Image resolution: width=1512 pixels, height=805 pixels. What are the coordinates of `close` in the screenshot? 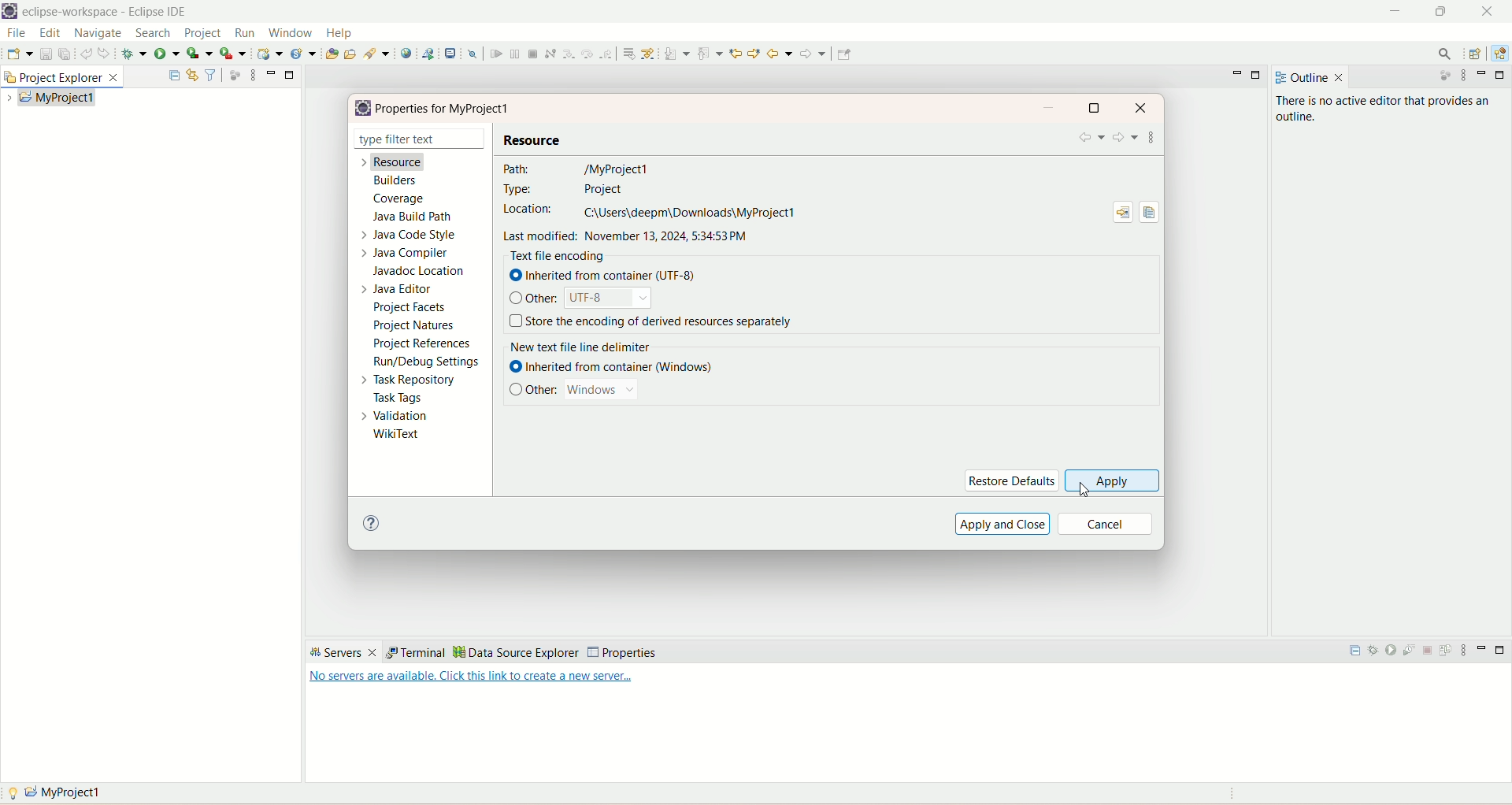 It's located at (1142, 106).